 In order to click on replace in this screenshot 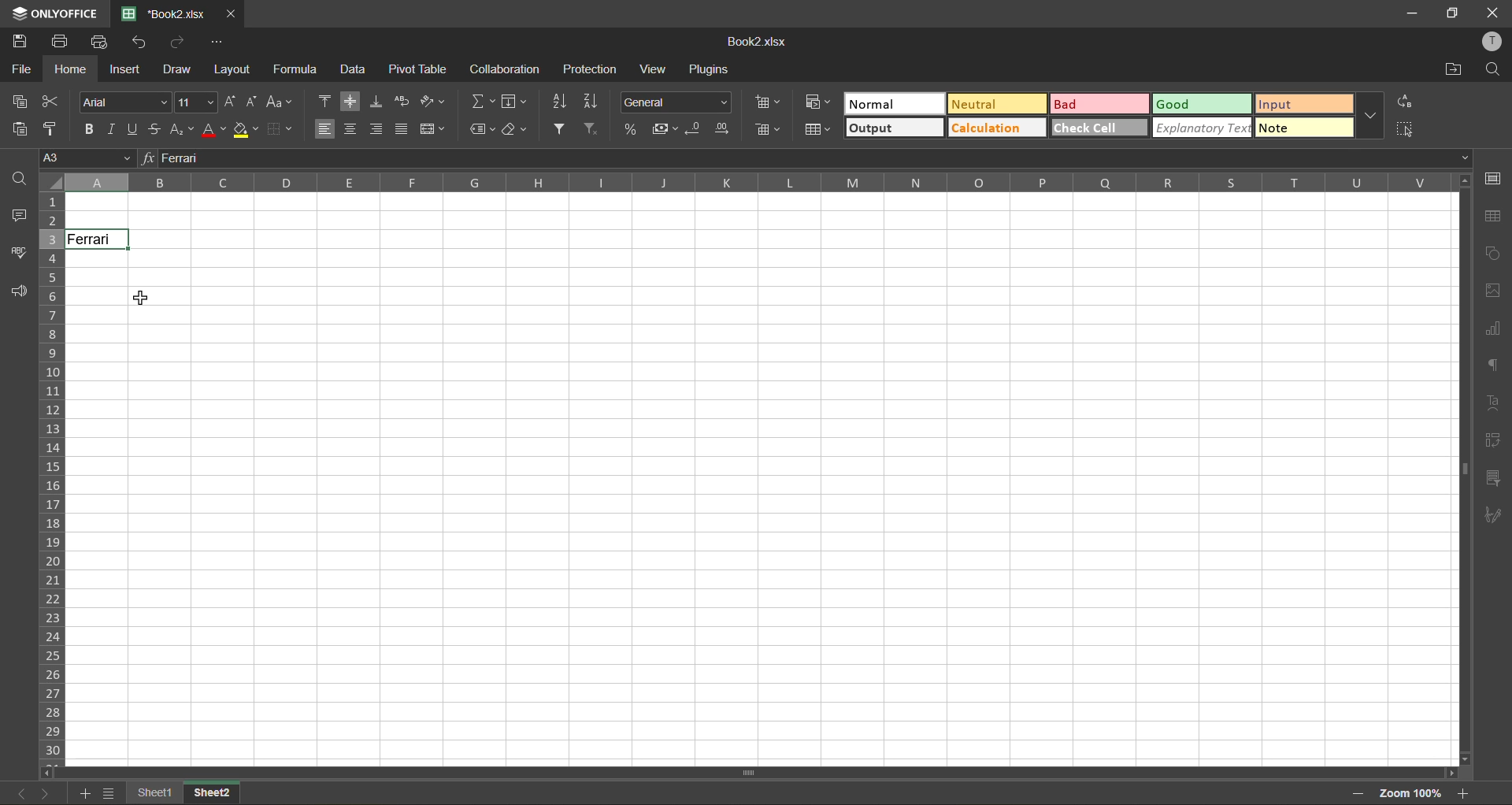, I will do `click(1404, 102)`.